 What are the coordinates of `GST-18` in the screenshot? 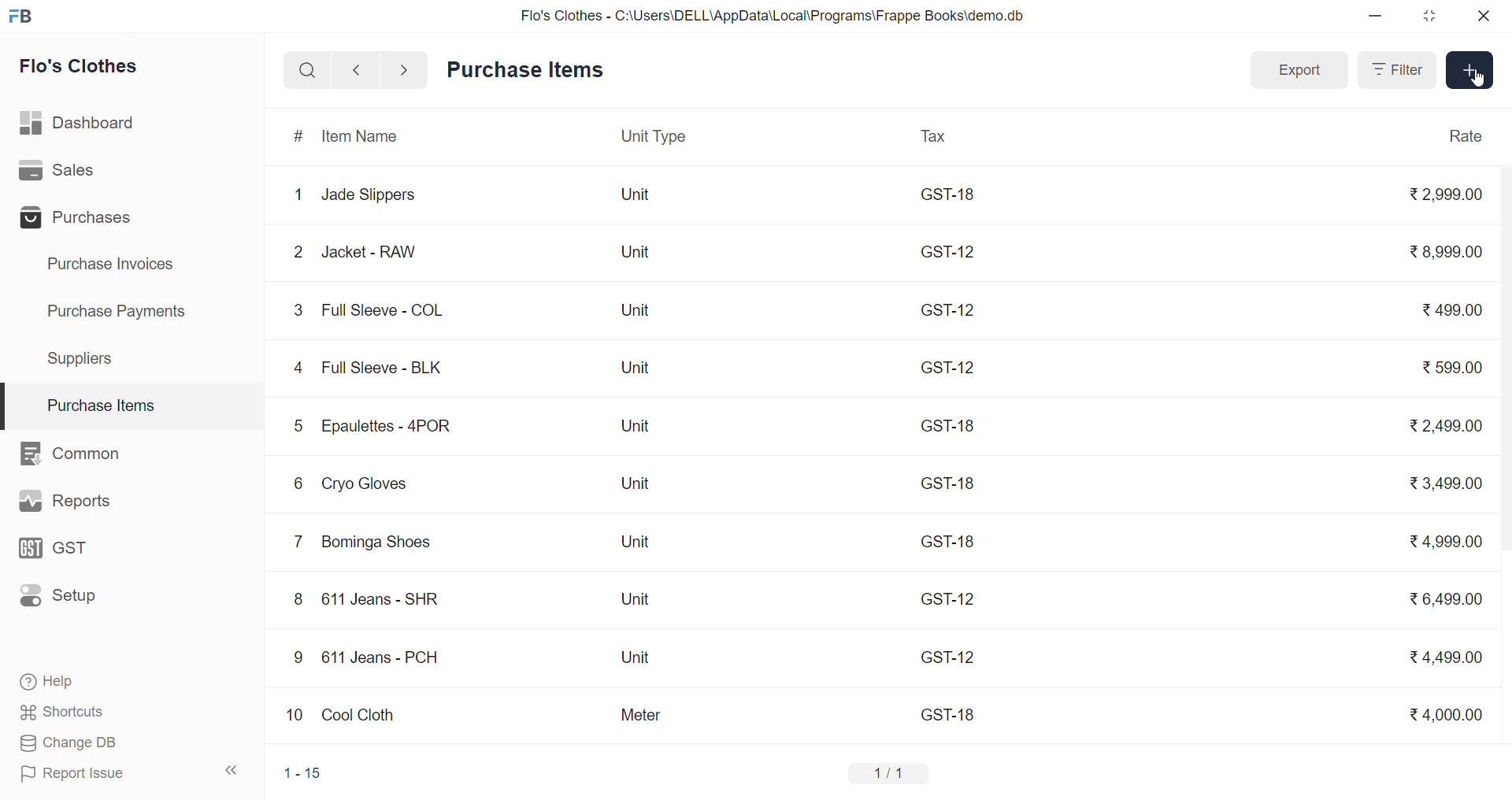 It's located at (948, 483).